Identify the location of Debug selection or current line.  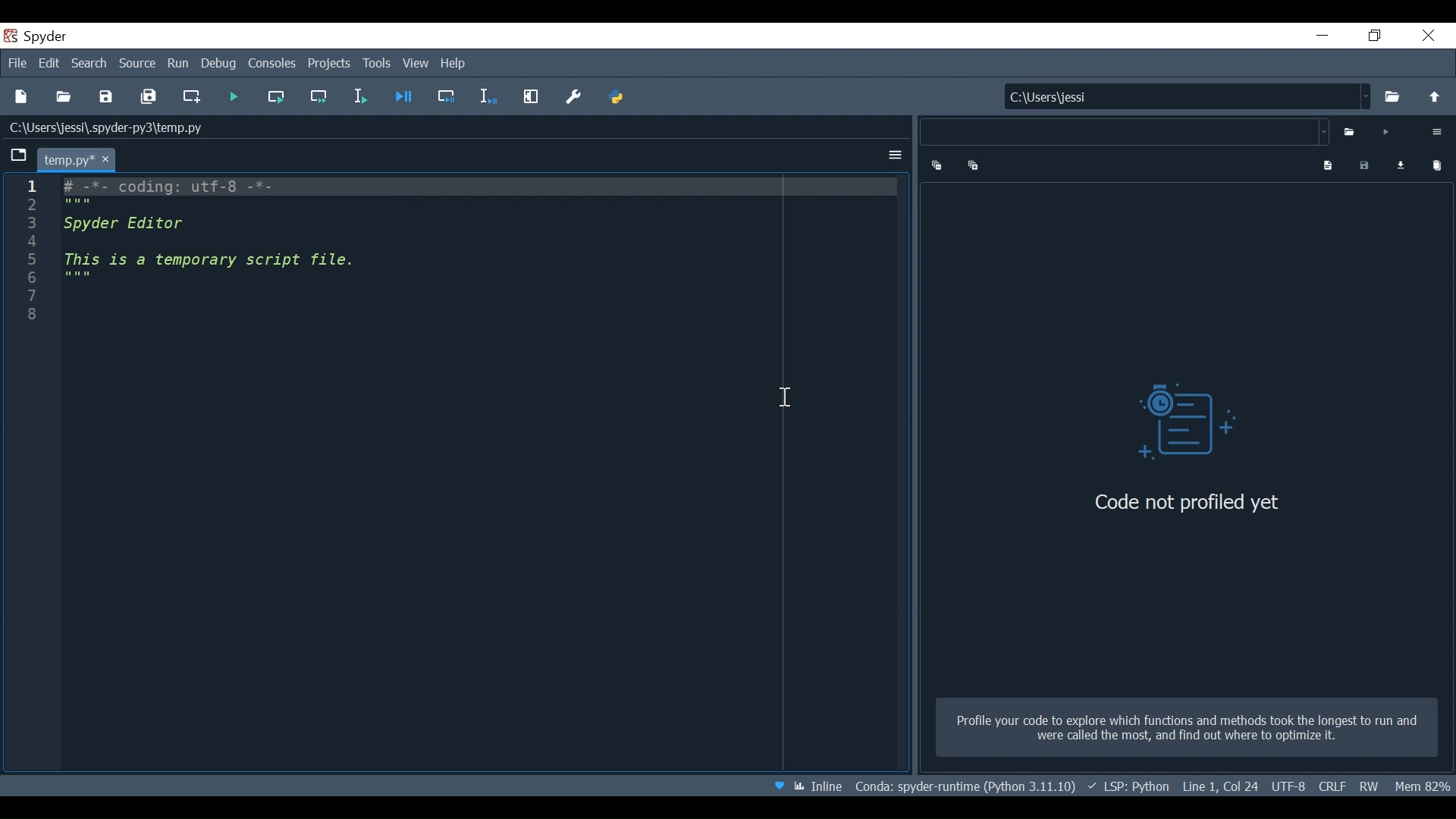
(448, 98).